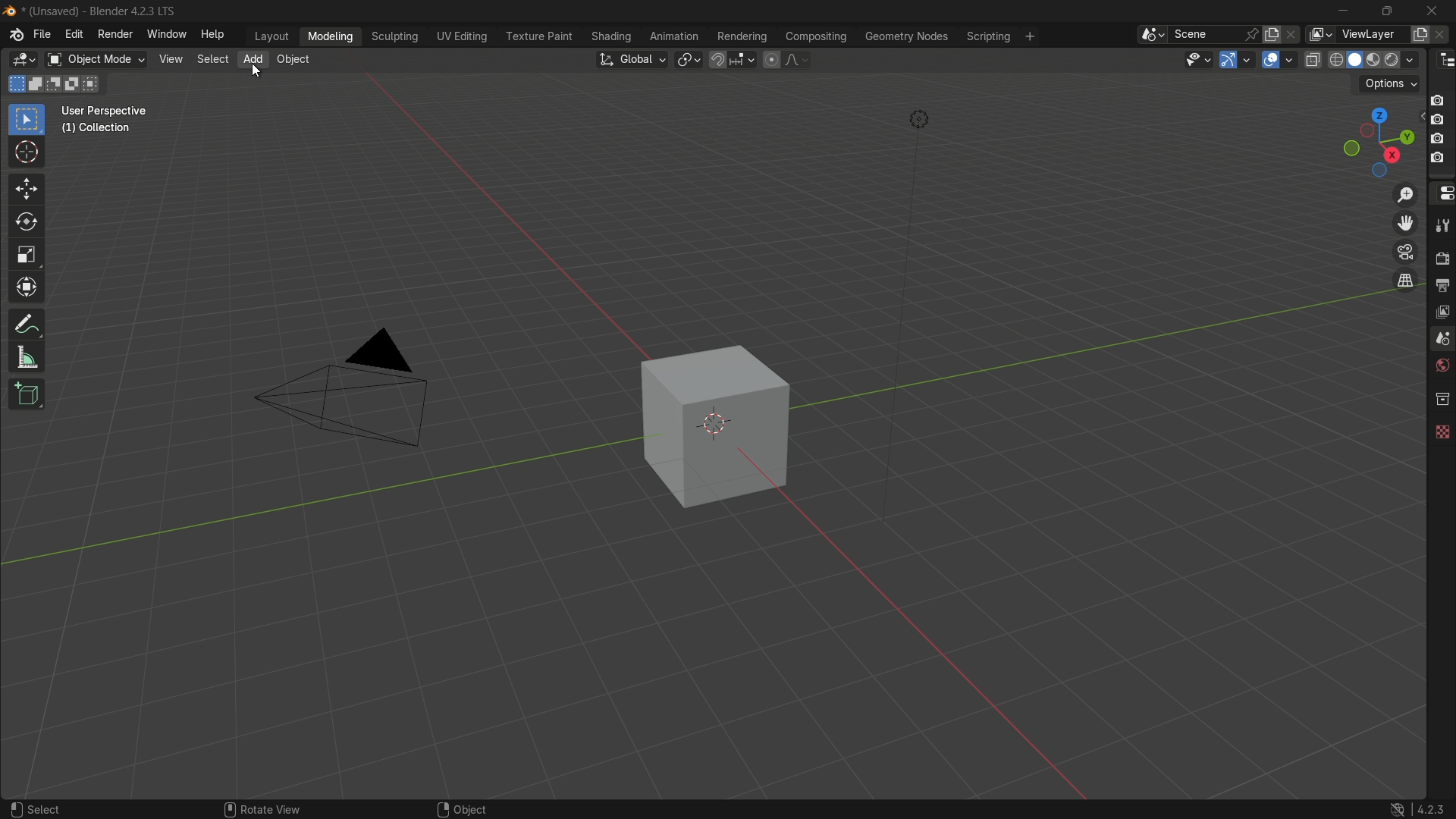 This screenshot has height=819, width=1456. Describe the element at coordinates (353, 395) in the screenshot. I see `camera` at that location.